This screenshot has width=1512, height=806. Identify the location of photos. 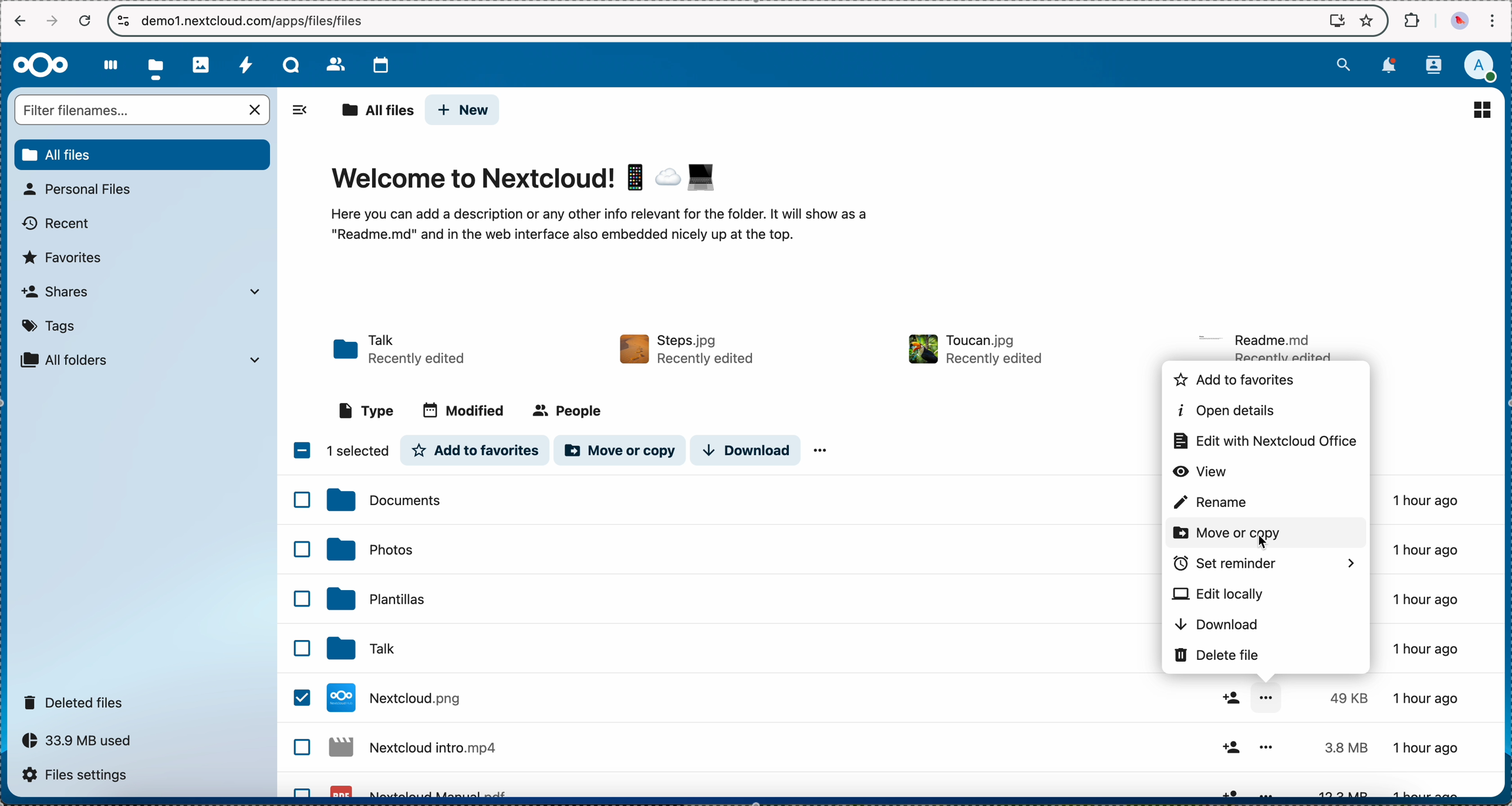
(739, 551).